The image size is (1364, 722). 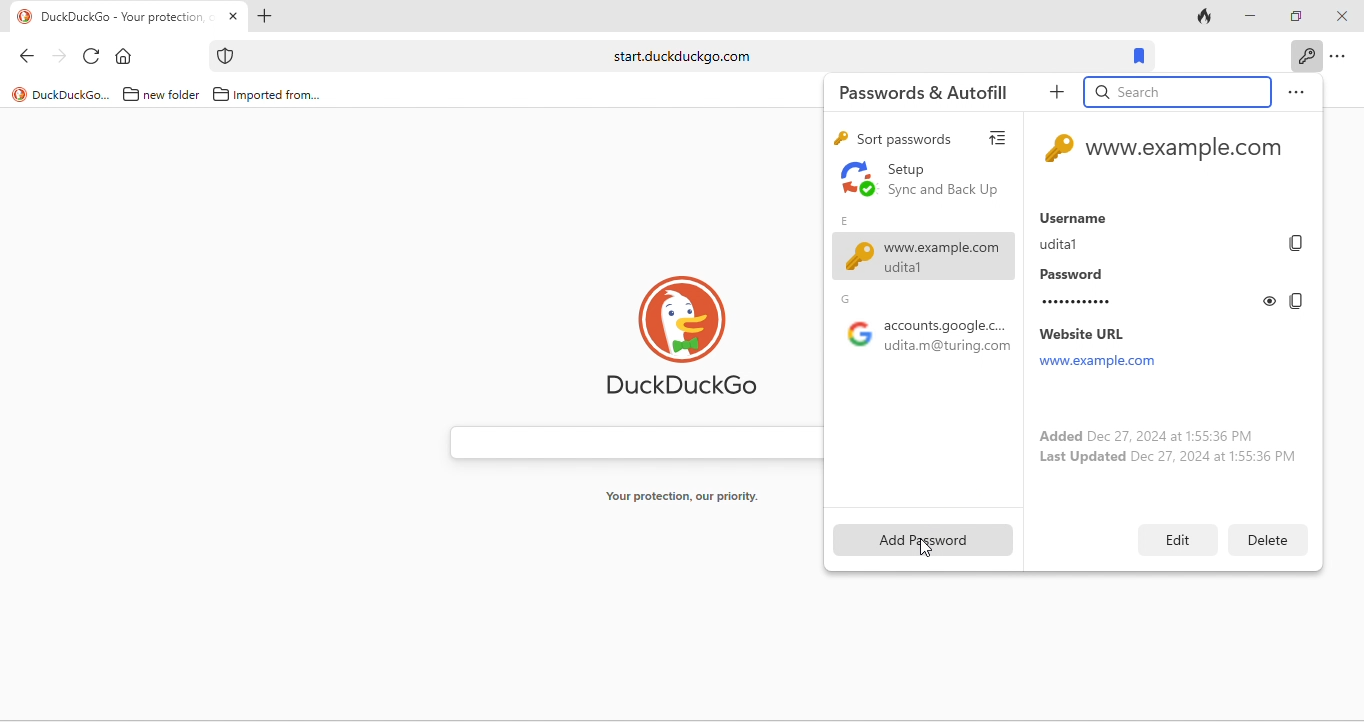 What do you see at coordinates (267, 16) in the screenshot?
I see `add new tab` at bounding box center [267, 16].